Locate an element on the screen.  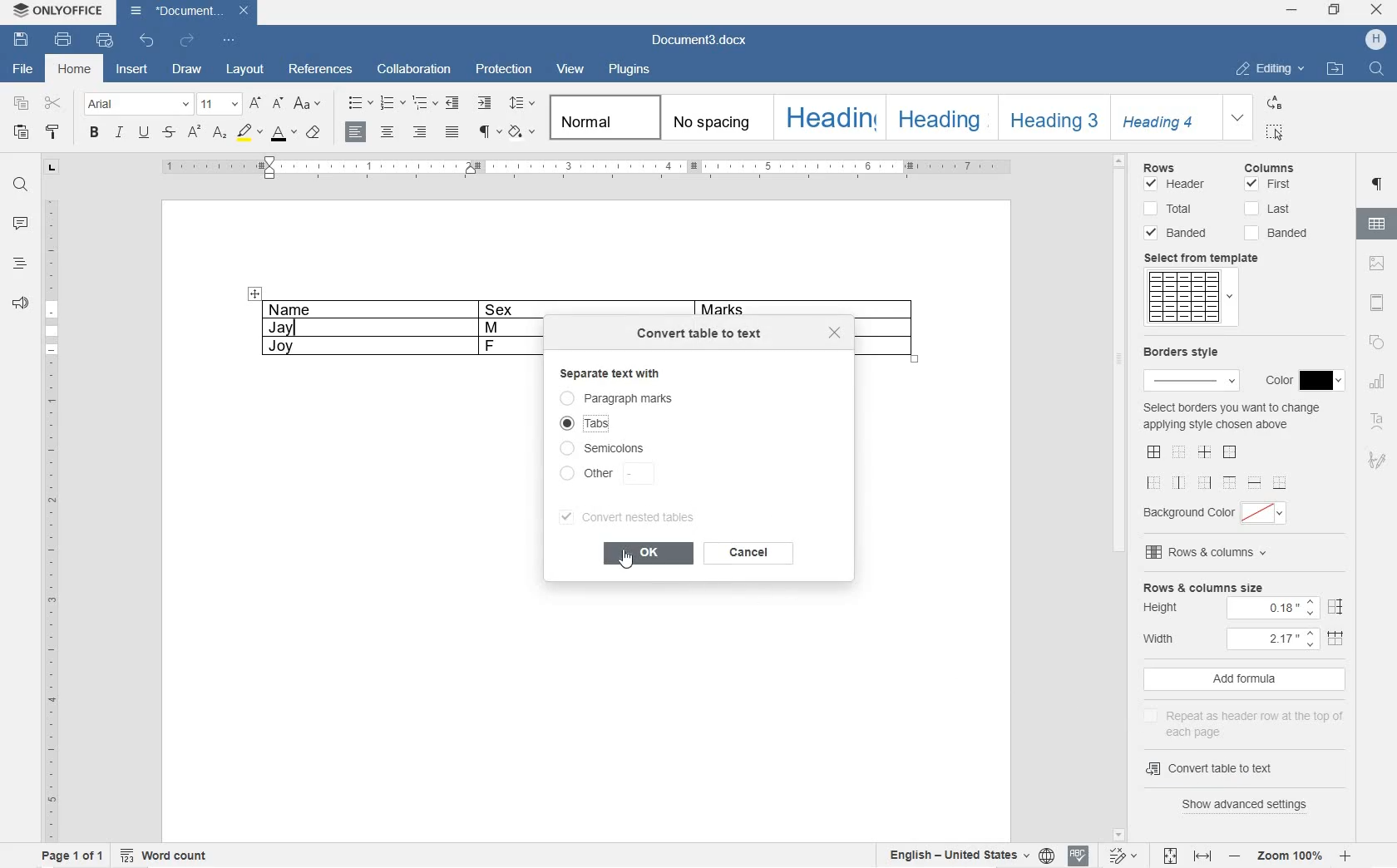
ALIGN LEFT is located at coordinates (358, 132).